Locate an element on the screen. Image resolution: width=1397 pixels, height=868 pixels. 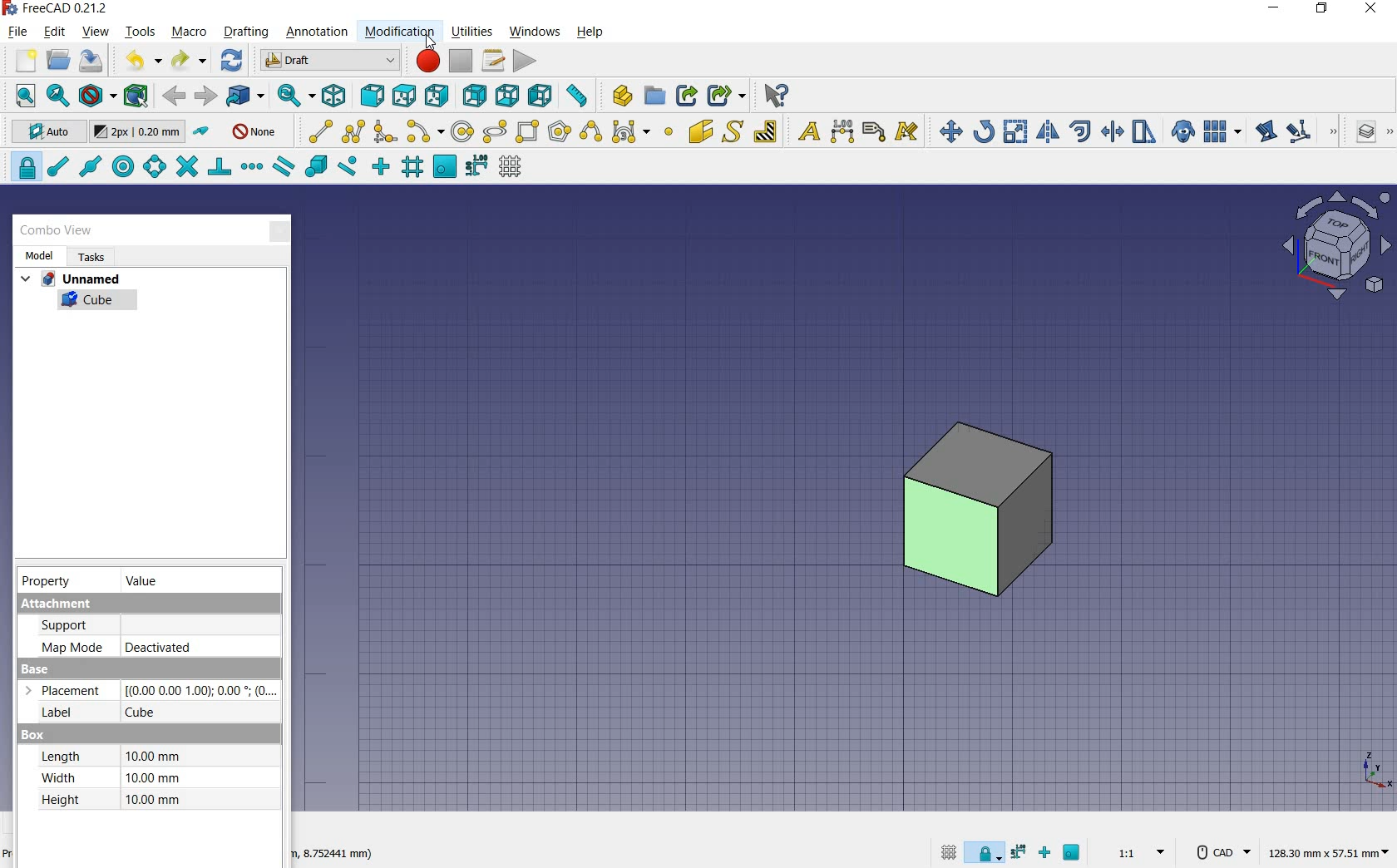
create part is located at coordinates (618, 95).